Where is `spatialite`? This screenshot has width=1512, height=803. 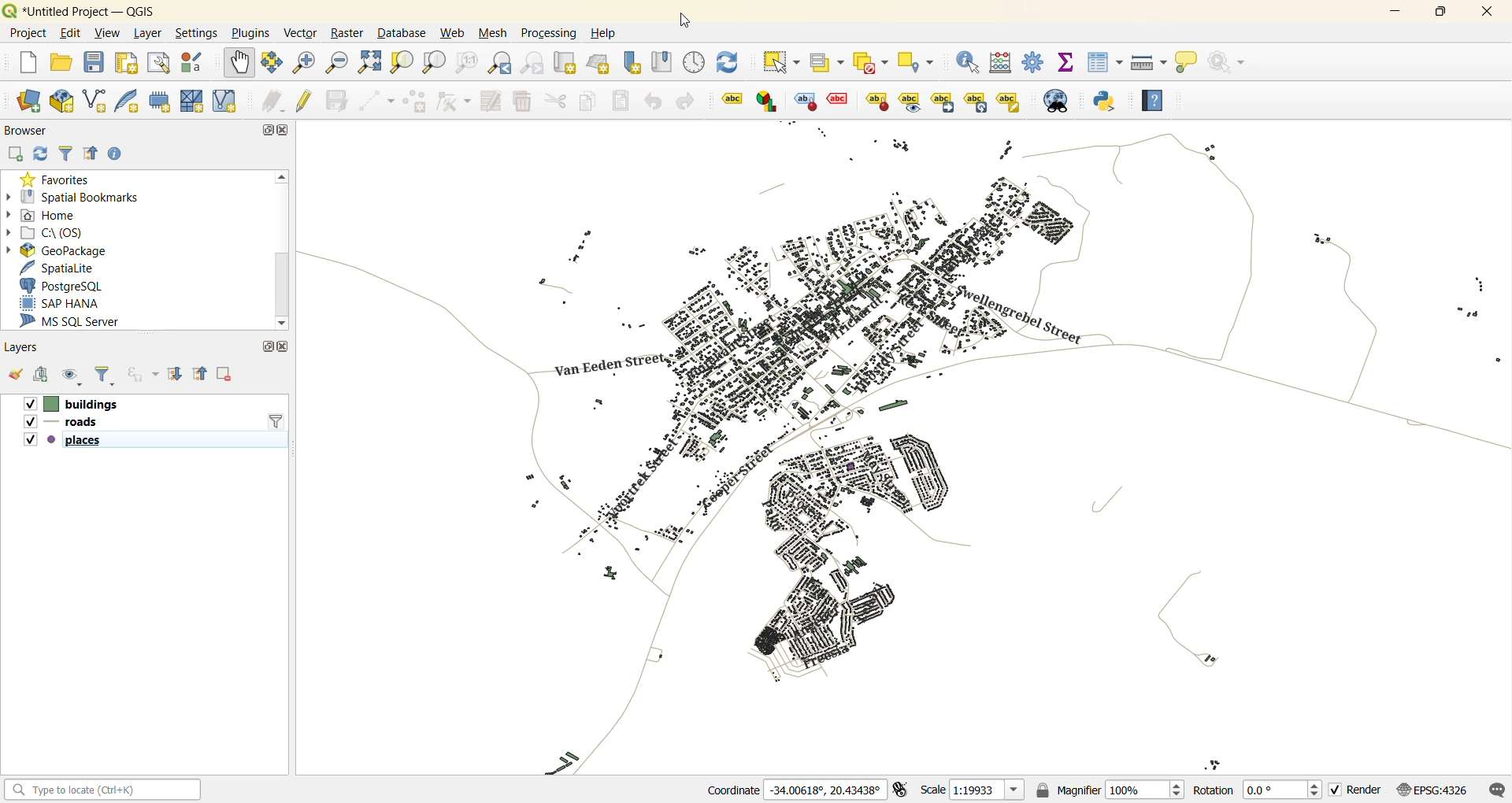
spatialite is located at coordinates (63, 267).